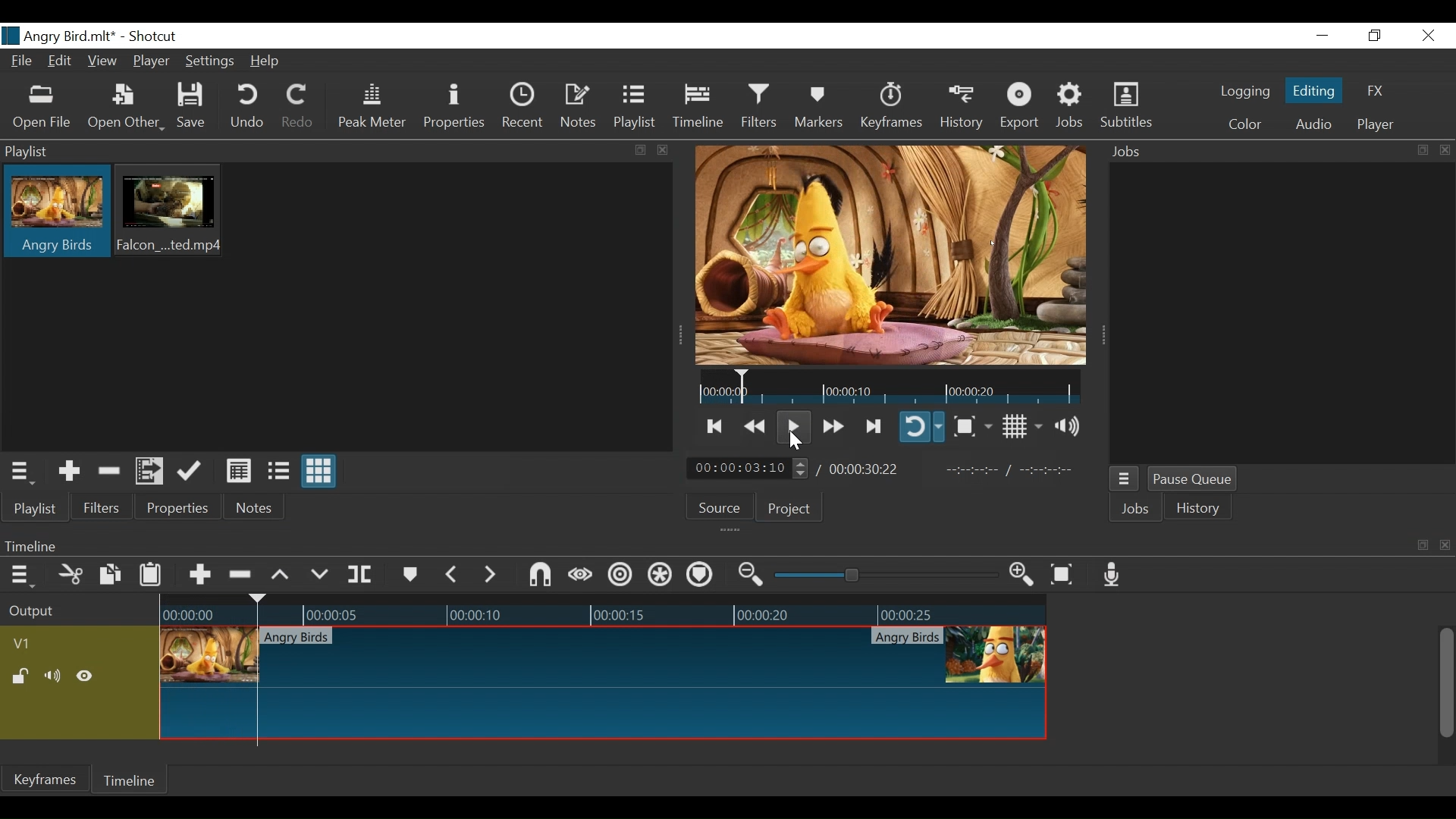  Describe the element at coordinates (1448, 682) in the screenshot. I see `Vertical Scroll bar` at that location.